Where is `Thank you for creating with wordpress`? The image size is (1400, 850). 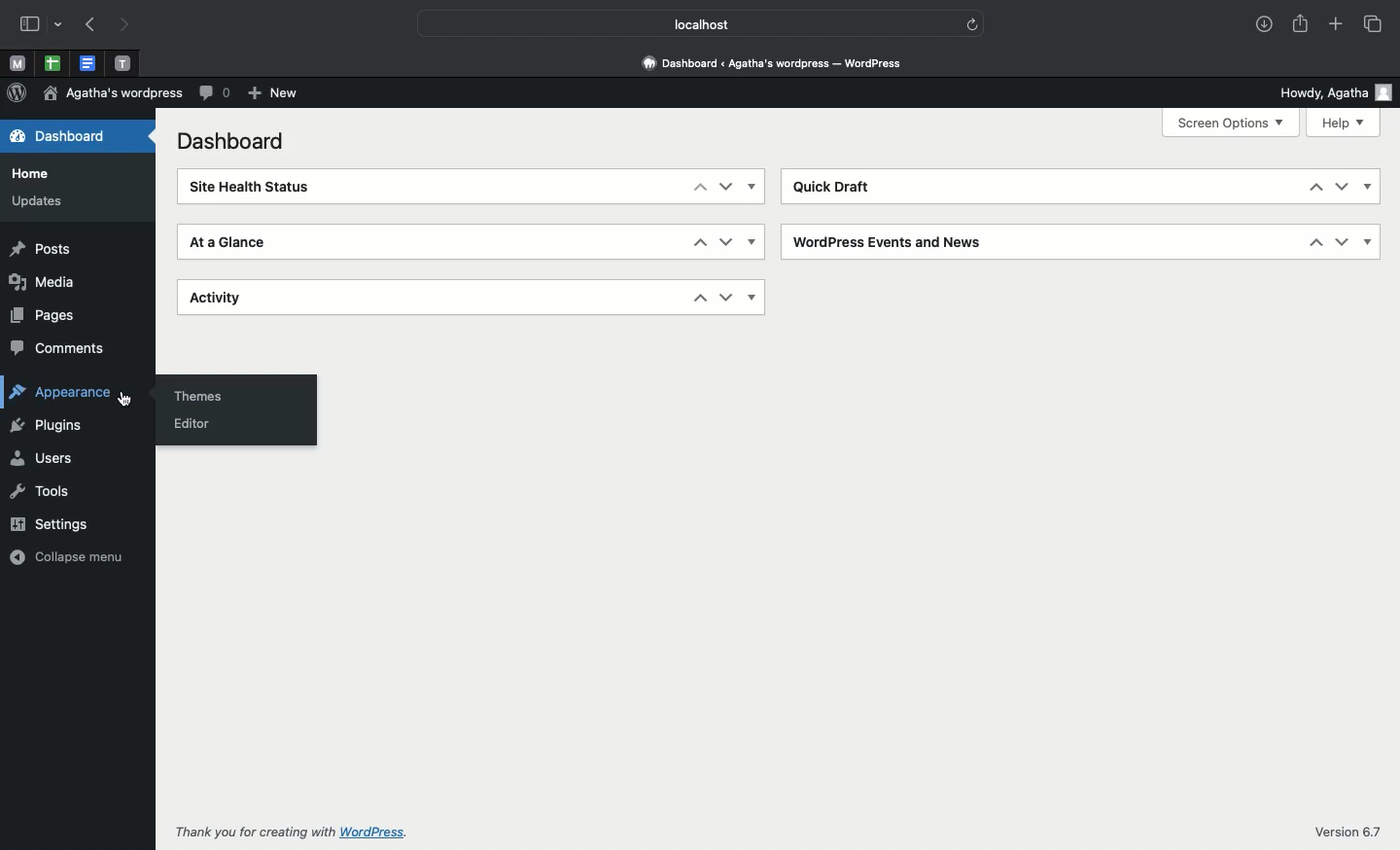 Thank you for creating with wordpress is located at coordinates (296, 835).